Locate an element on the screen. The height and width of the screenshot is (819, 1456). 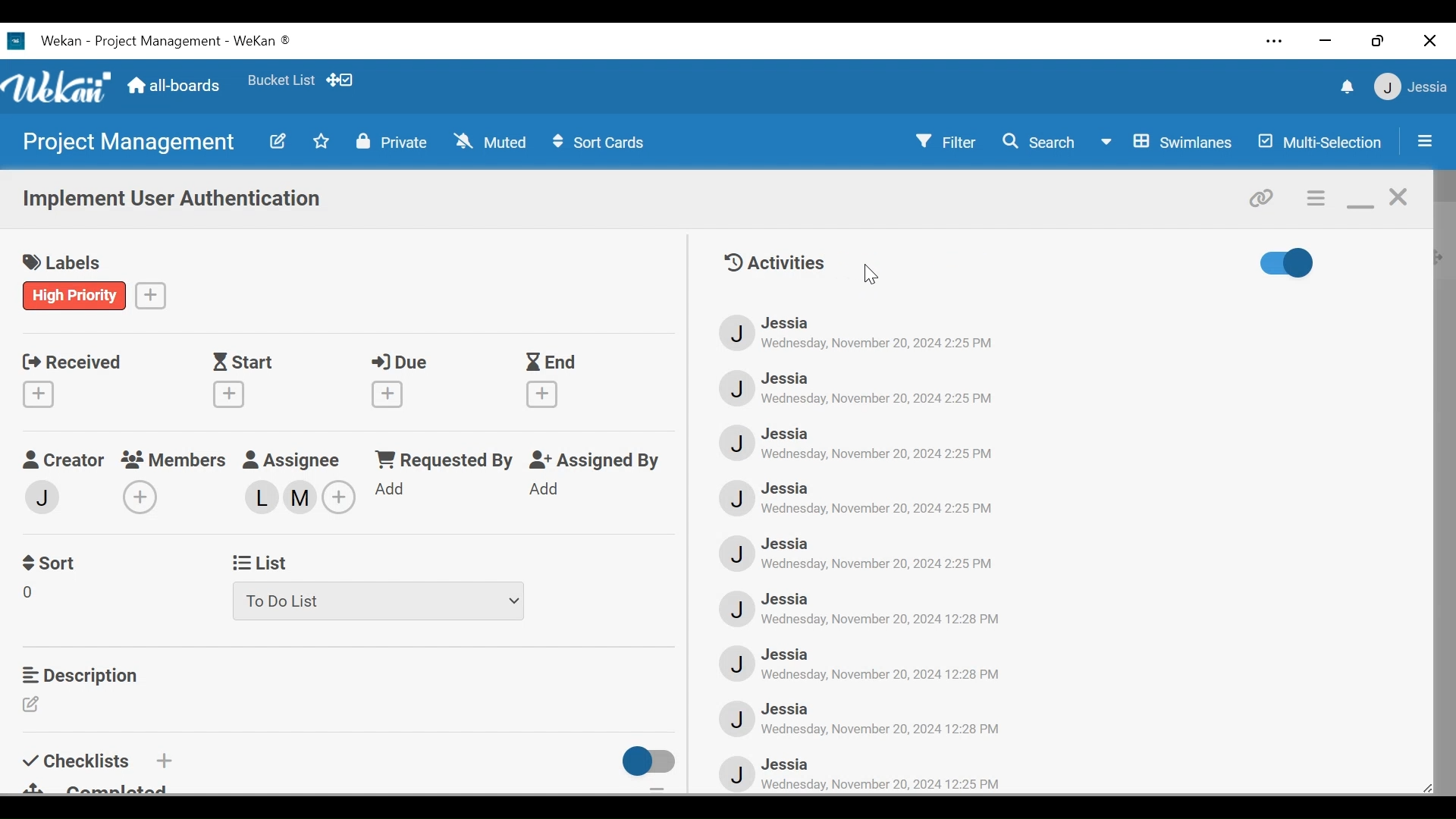
Board Title is located at coordinates (165, 42).